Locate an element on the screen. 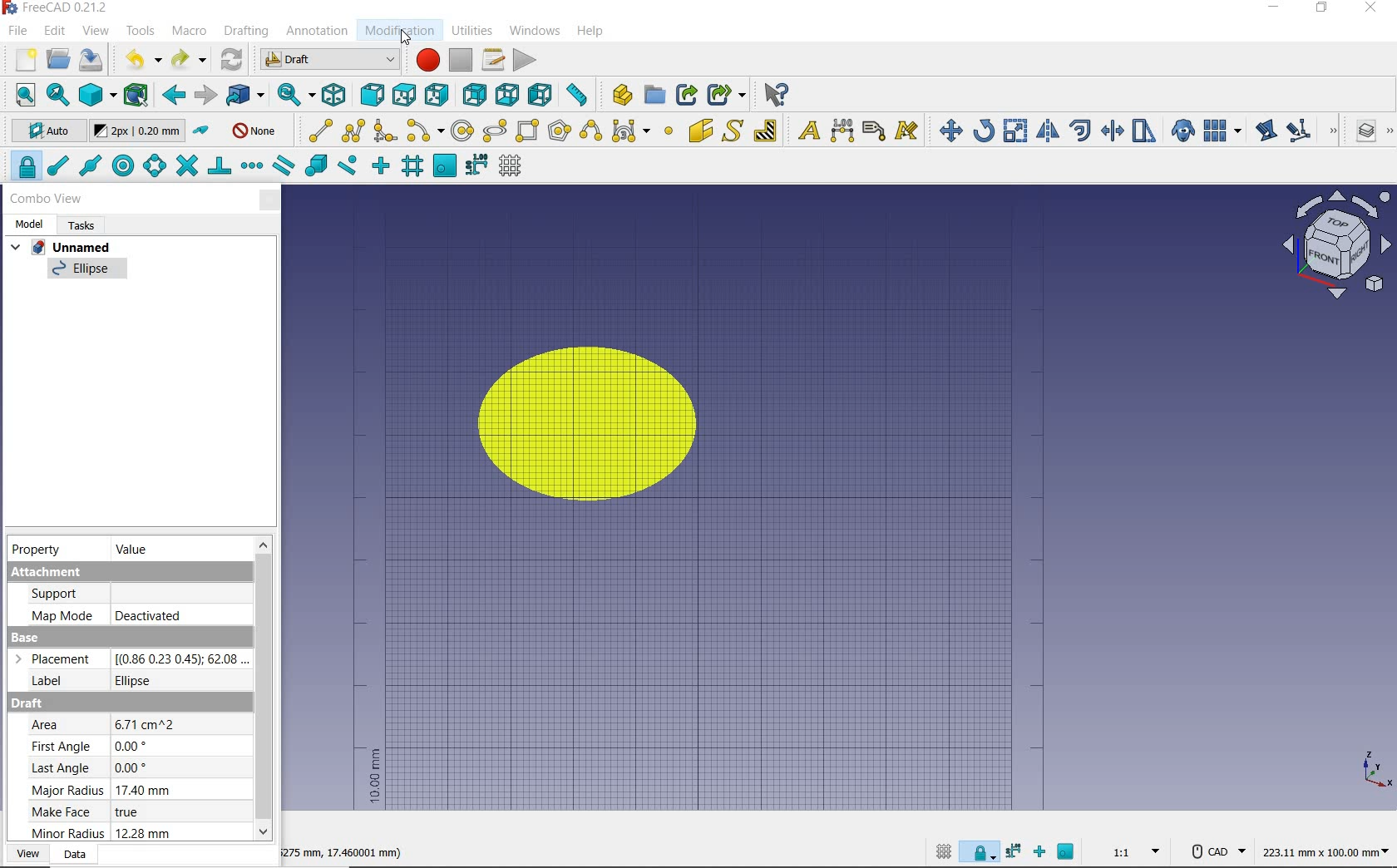 The image size is (1397, 868). switch between workbenches is located at coordinates (326, 60).